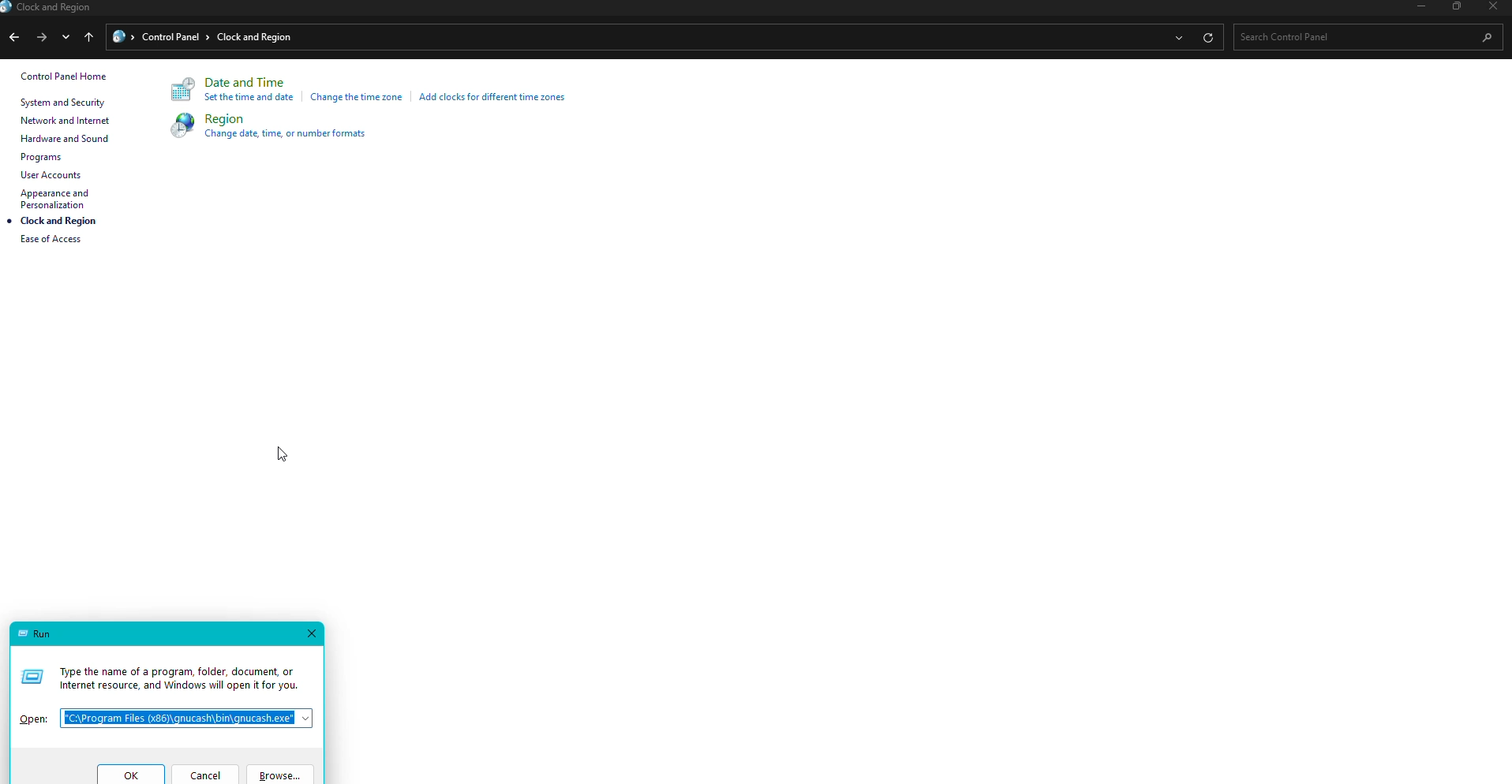 Image resolution: width=1512 pixels, height=784 pixels. What do you see at coordinates (281, 774) in the screenshot?
I see `Browse` at bounding box center [281, 774].